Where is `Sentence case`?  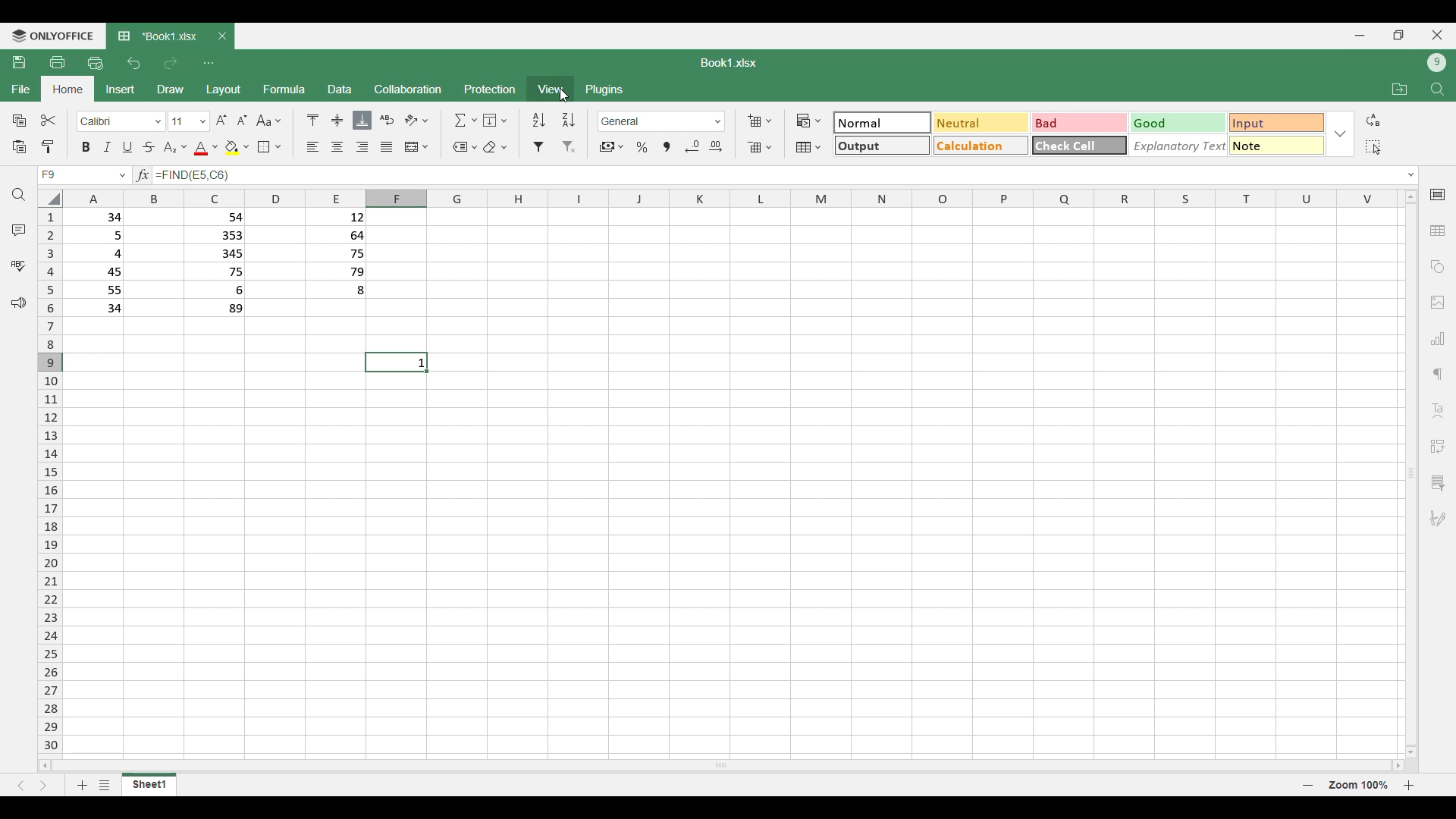 Sentence case is located at coordinates (270, 121).